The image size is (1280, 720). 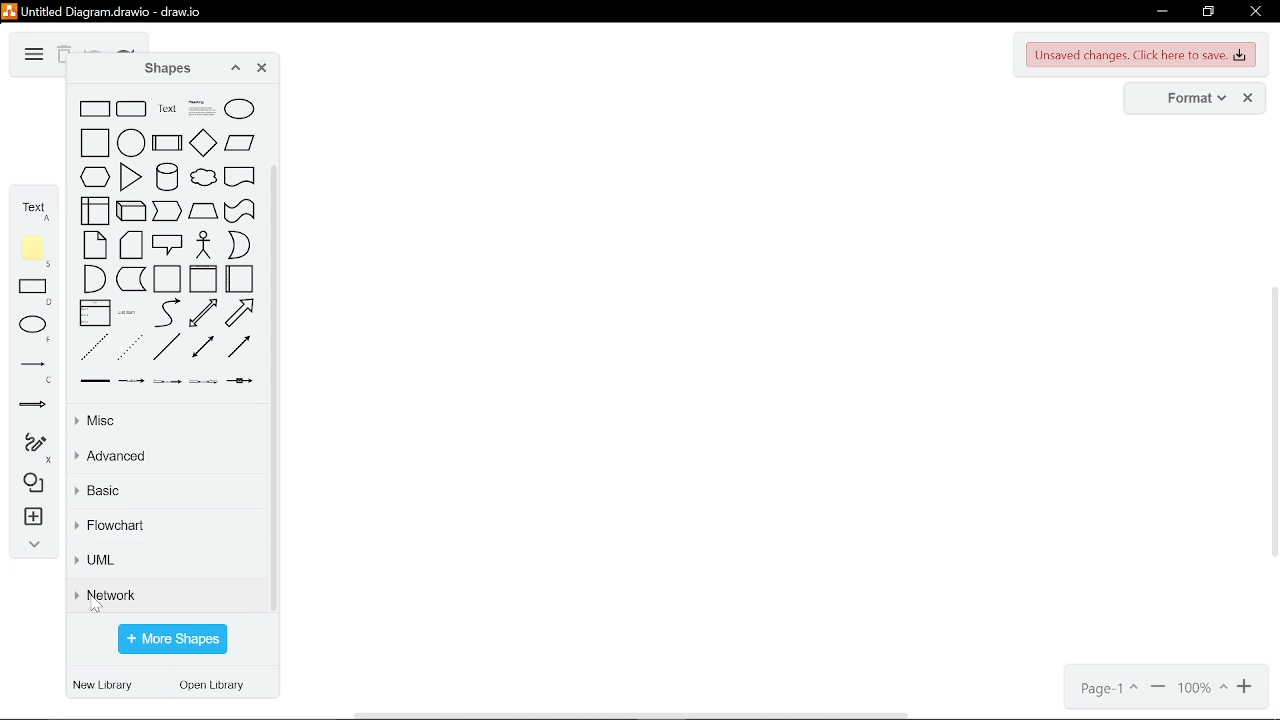 What do you see at coordinates (1158, 689) in the screenshot?
I see `zoom in` at bounding box center [1158, 689].